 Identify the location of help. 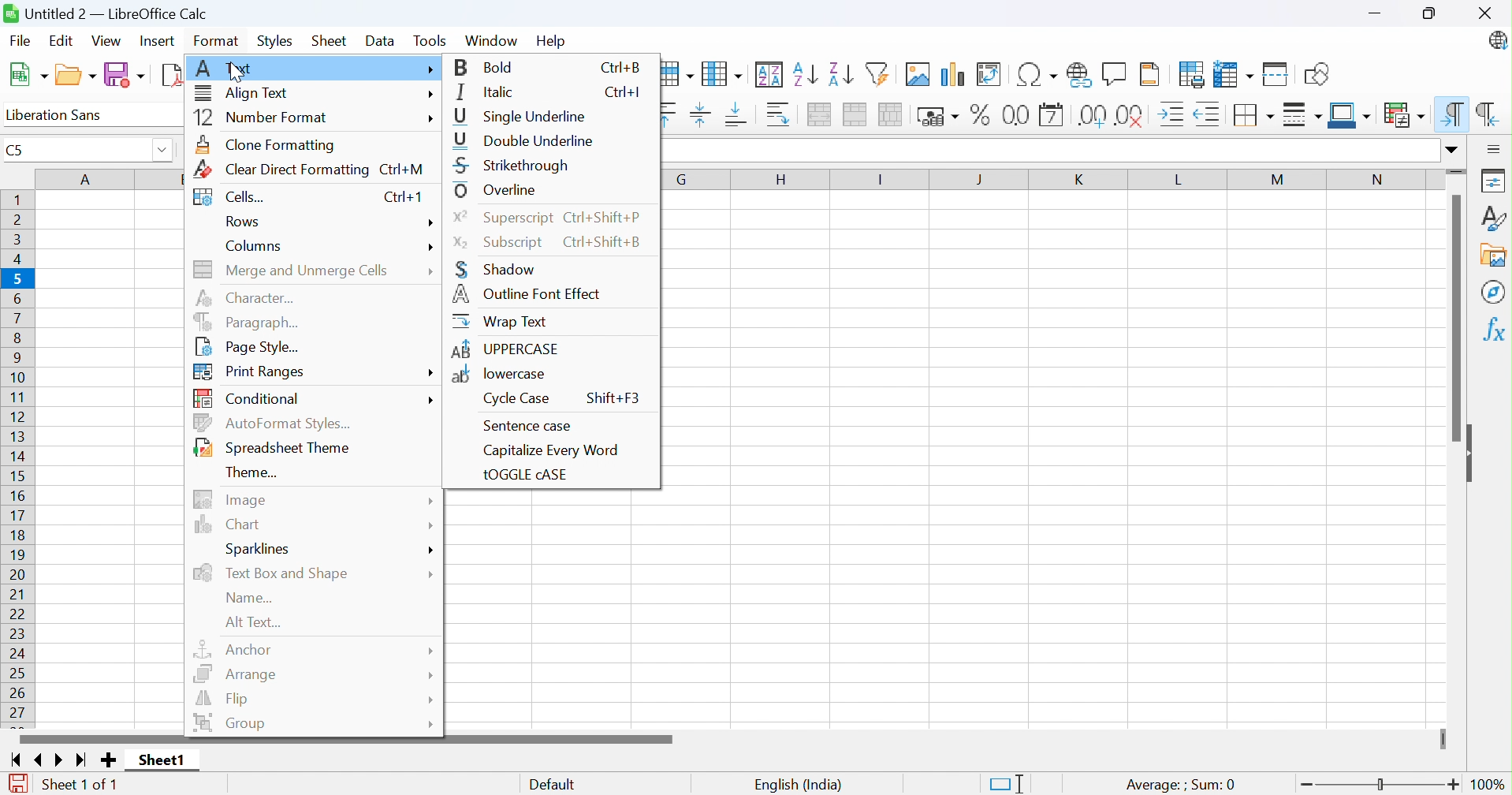
(549, 42).